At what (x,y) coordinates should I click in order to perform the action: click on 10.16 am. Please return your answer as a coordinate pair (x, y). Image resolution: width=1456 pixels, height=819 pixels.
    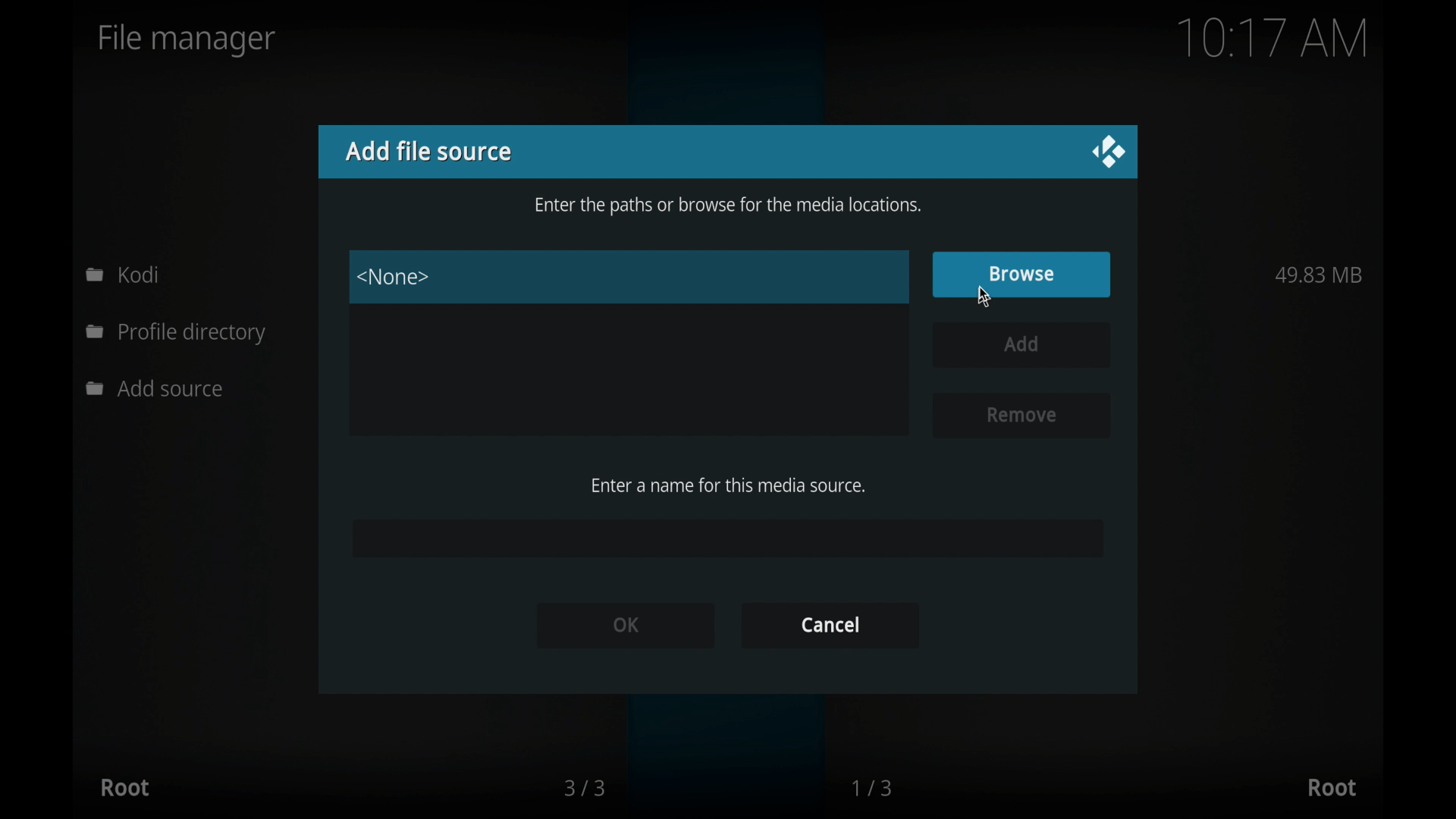
    Looking at the image, I should click on (1273, 38).